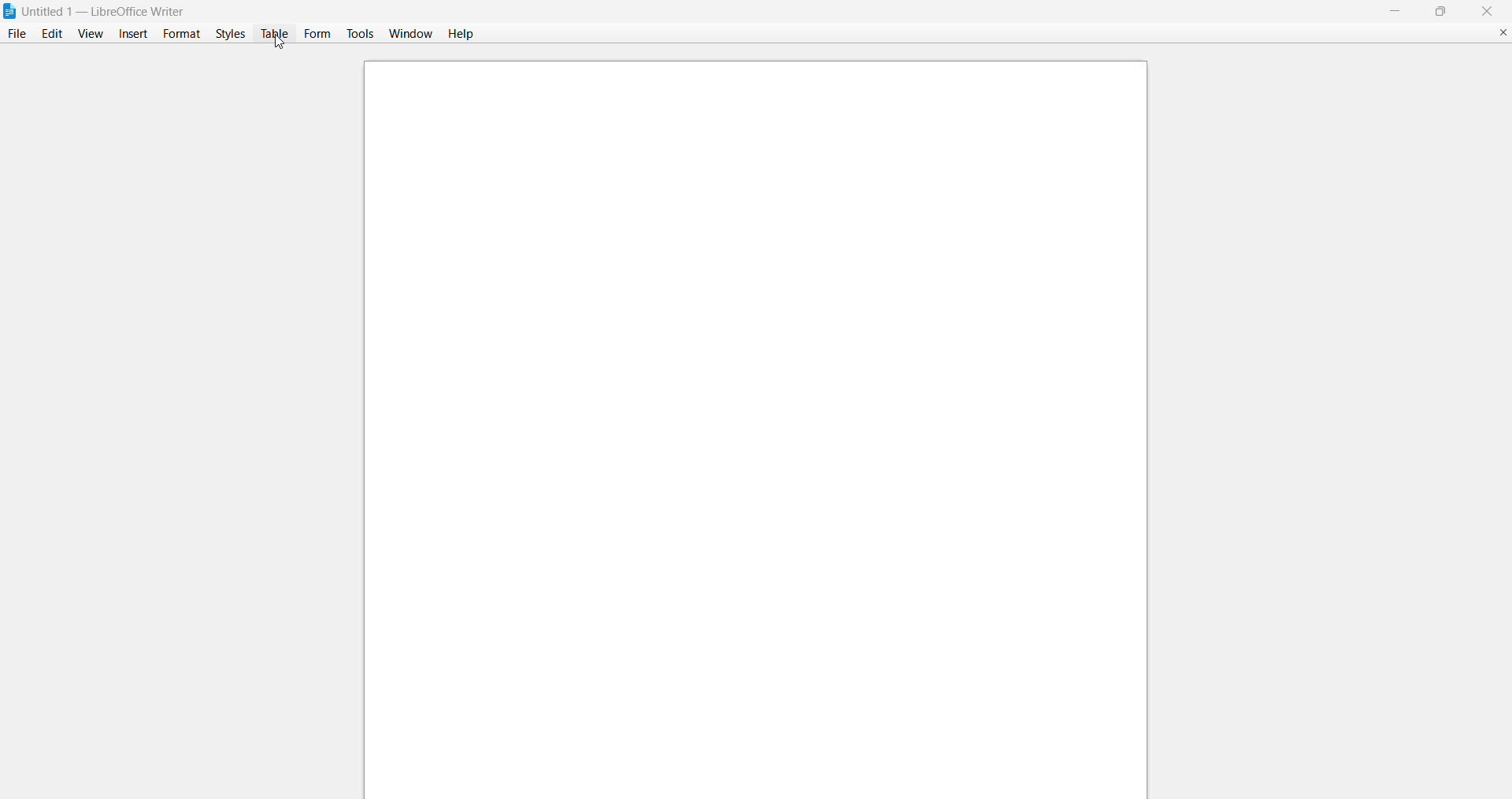 The height and width of the screenshot is (799, 1512). Describe the element at coordinates (1443, 11) in the screenshot. I see `maximize` at that location.